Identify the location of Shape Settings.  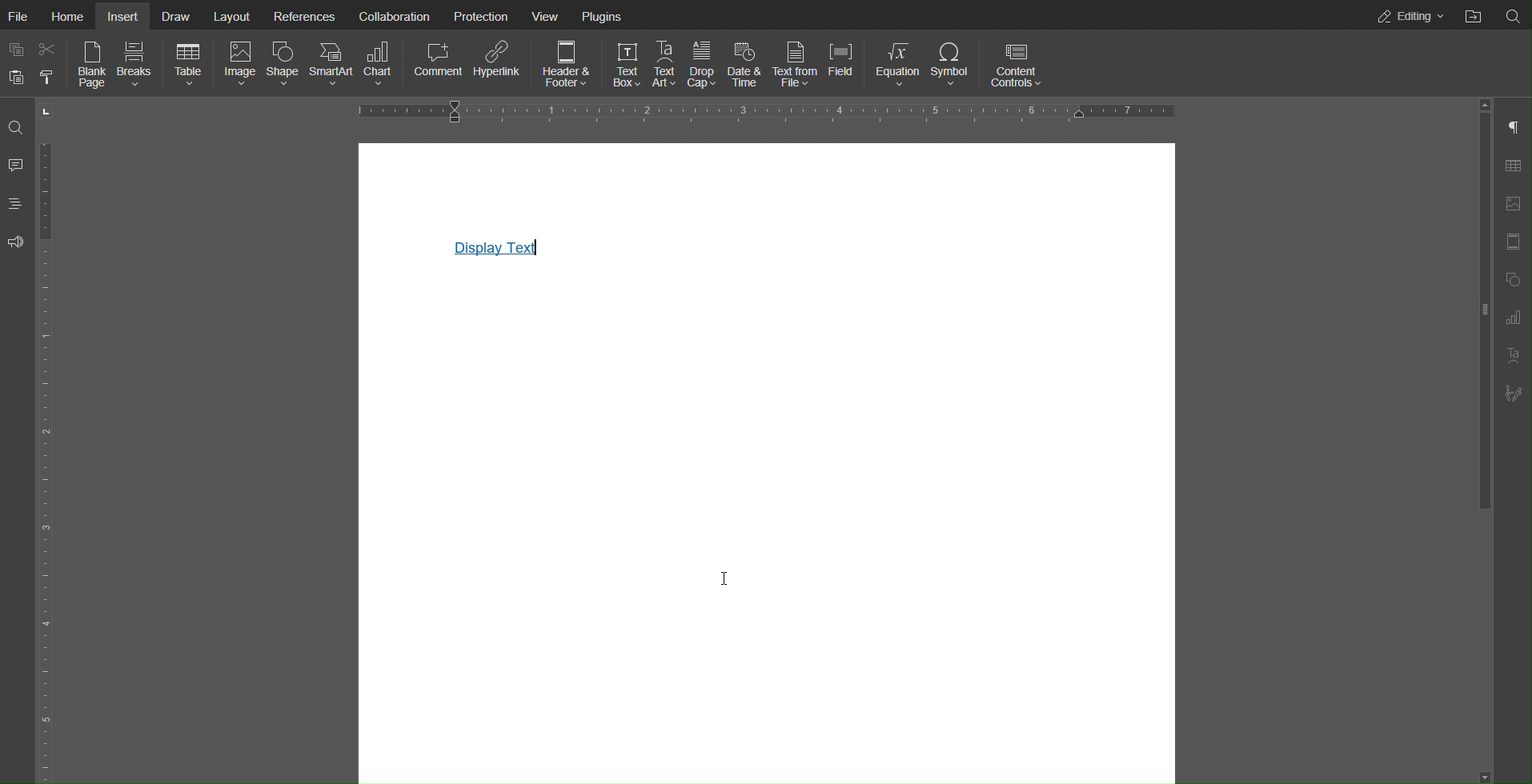
(1512, 279).